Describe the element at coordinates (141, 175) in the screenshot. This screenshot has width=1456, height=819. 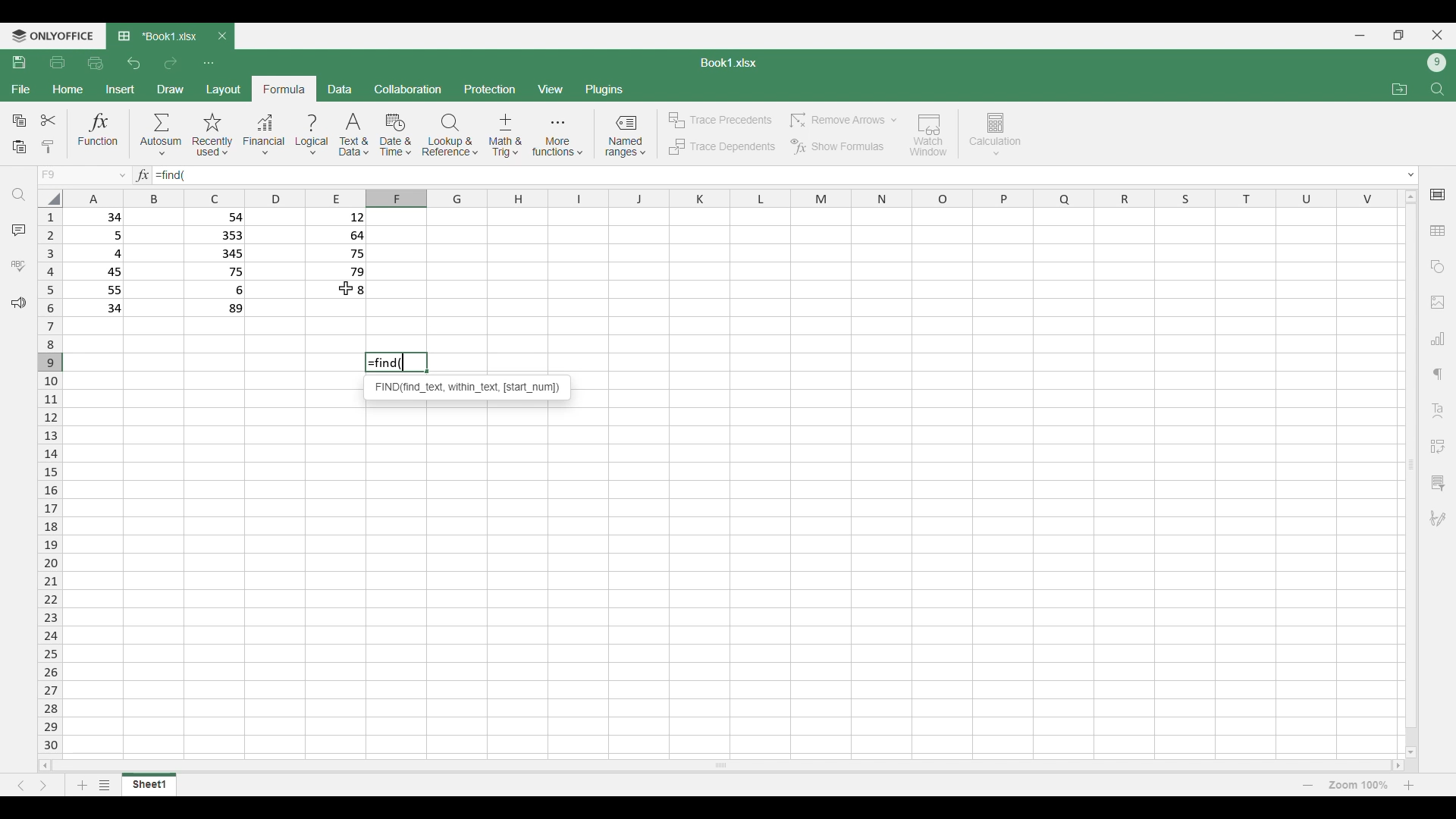
I see `Indicates text box for equations ` at that location.